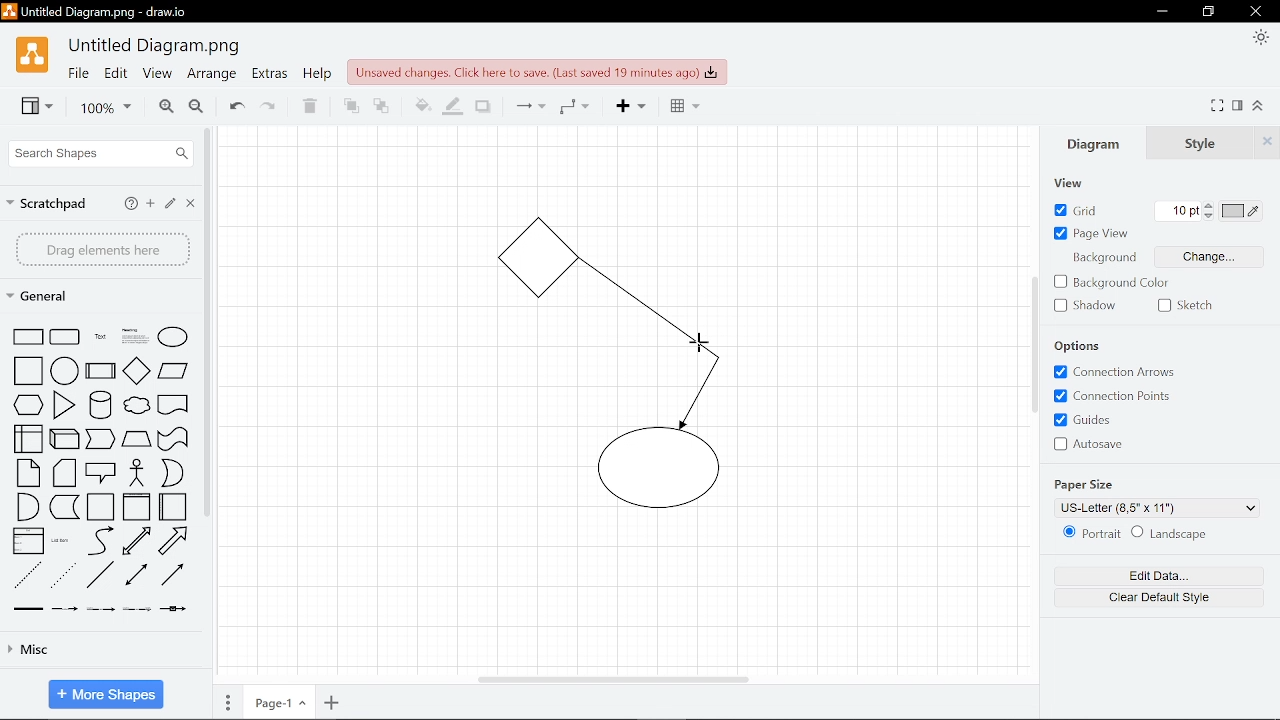 The image size is (1280, 720). What do you see at coordinates (1058, 395) in the screenshot?
I see `checkbox` at bounding box center [1058, 395].